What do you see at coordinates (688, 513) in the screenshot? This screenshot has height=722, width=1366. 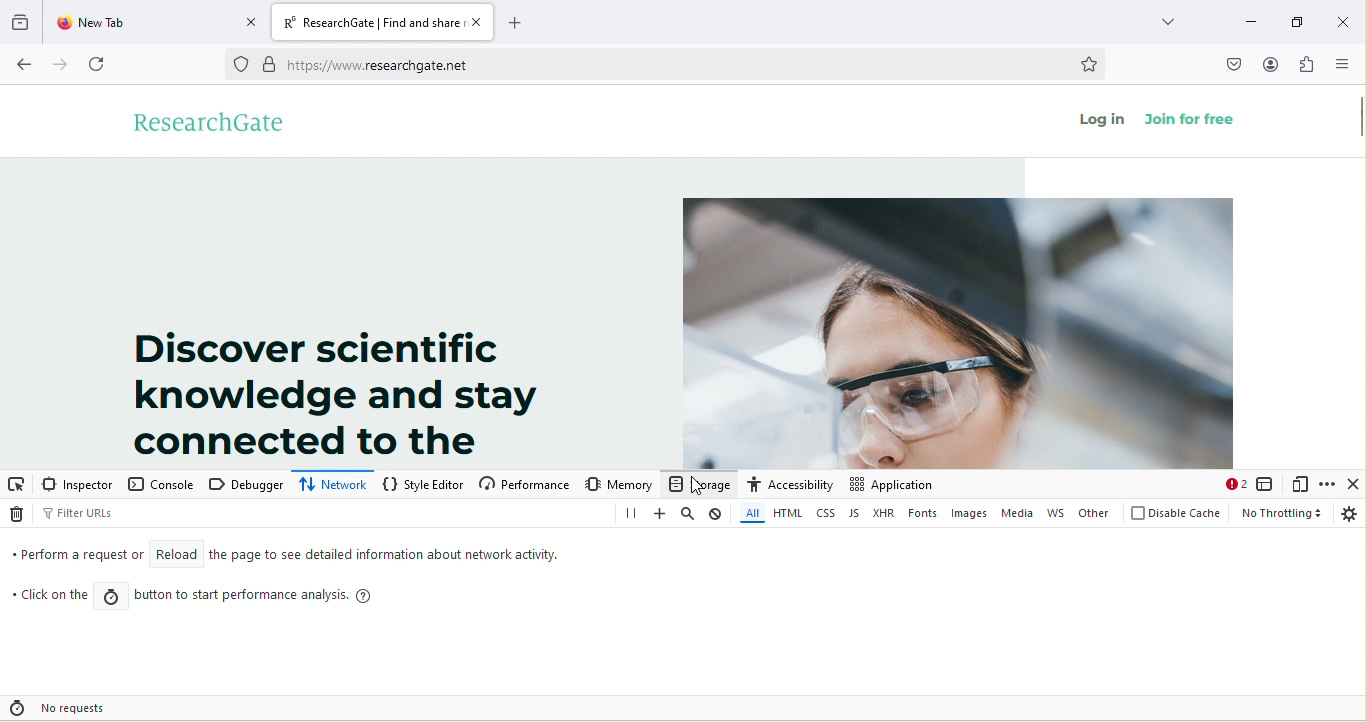 I see `search` at bounding box center [688, 513].